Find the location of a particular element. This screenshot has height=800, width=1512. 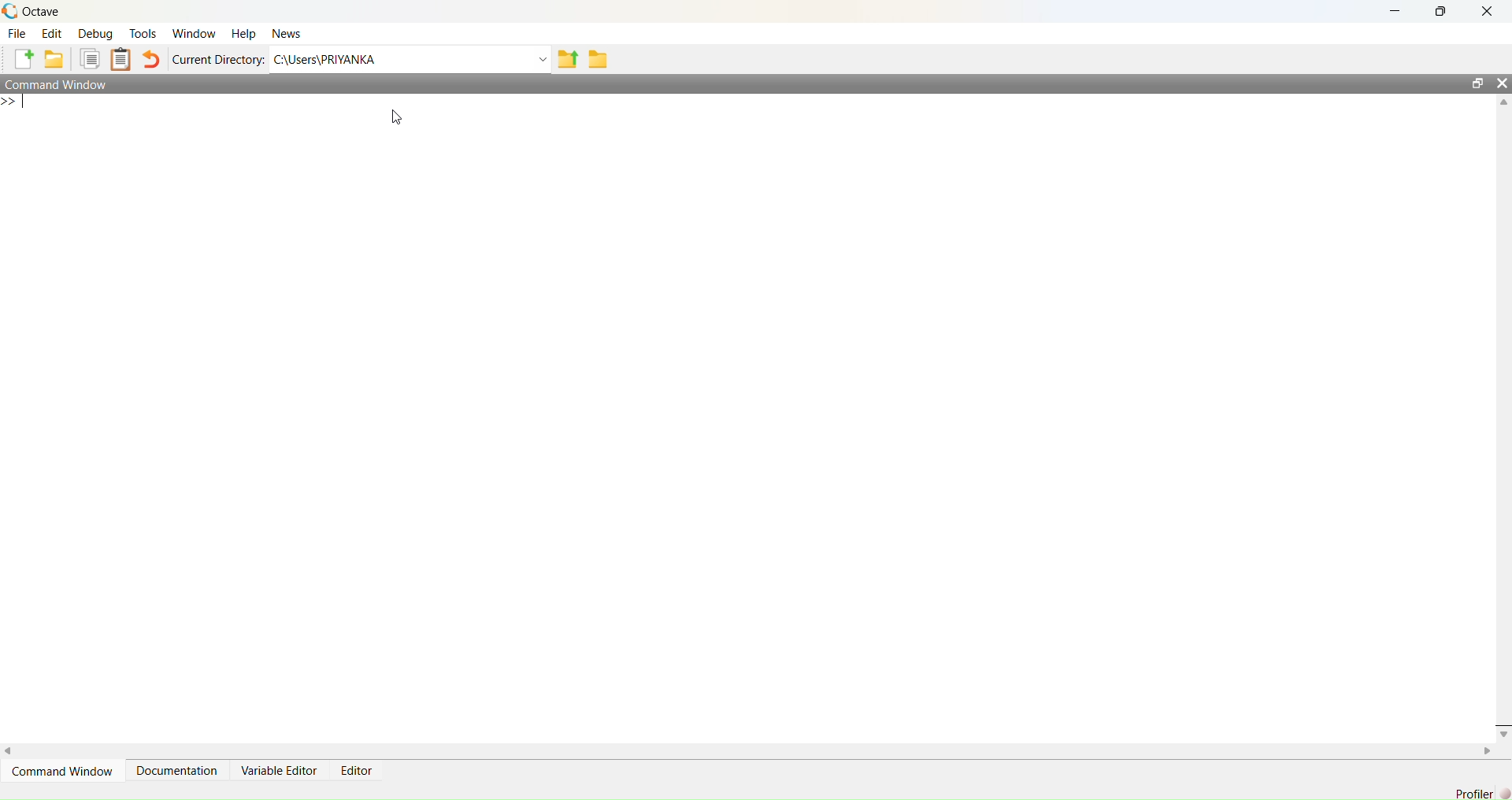

Copy is located at coordinates (87, 57).